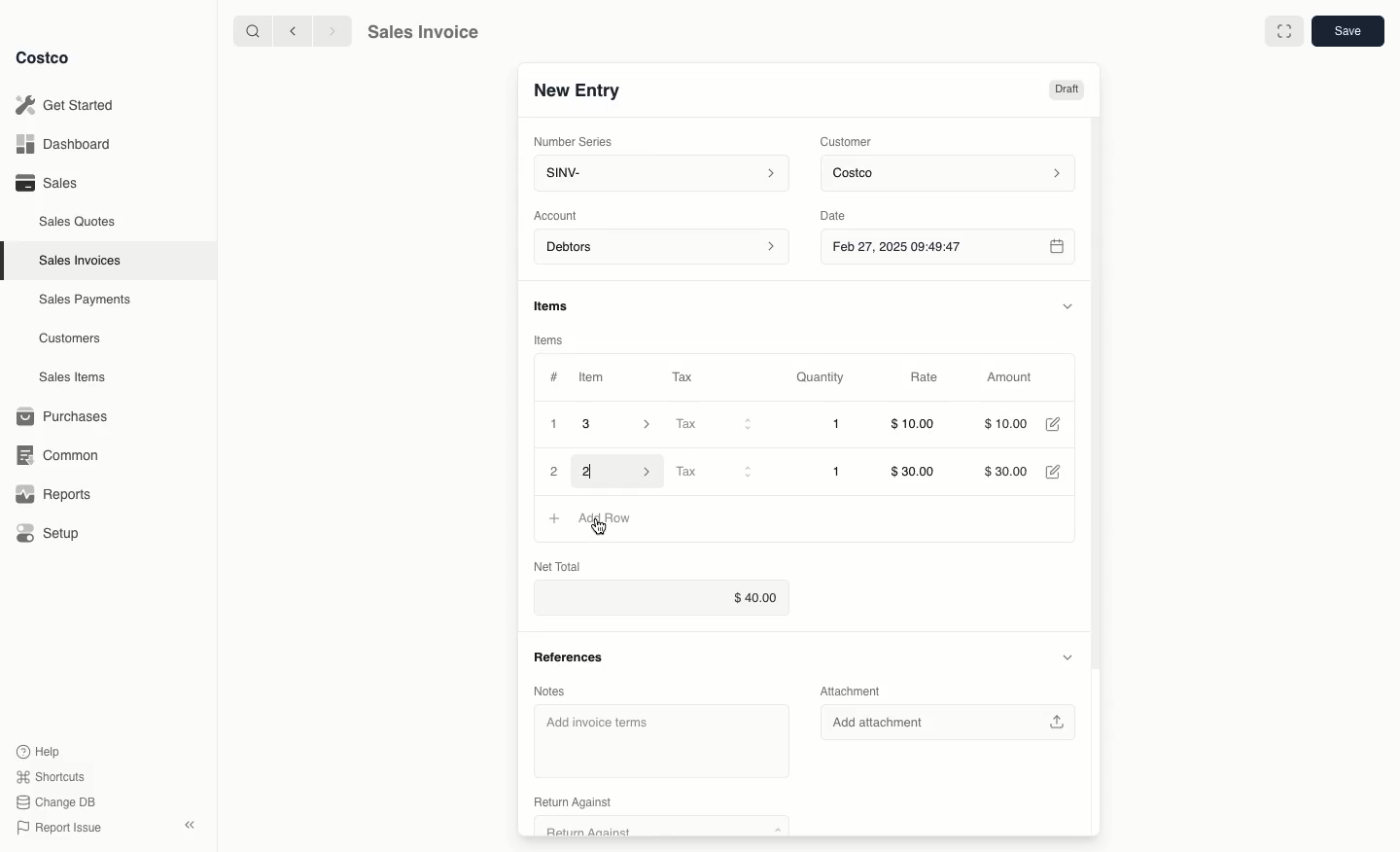 The height and width of the screenshot is (852, 1400). I want to click on 2, so click(619, 471).